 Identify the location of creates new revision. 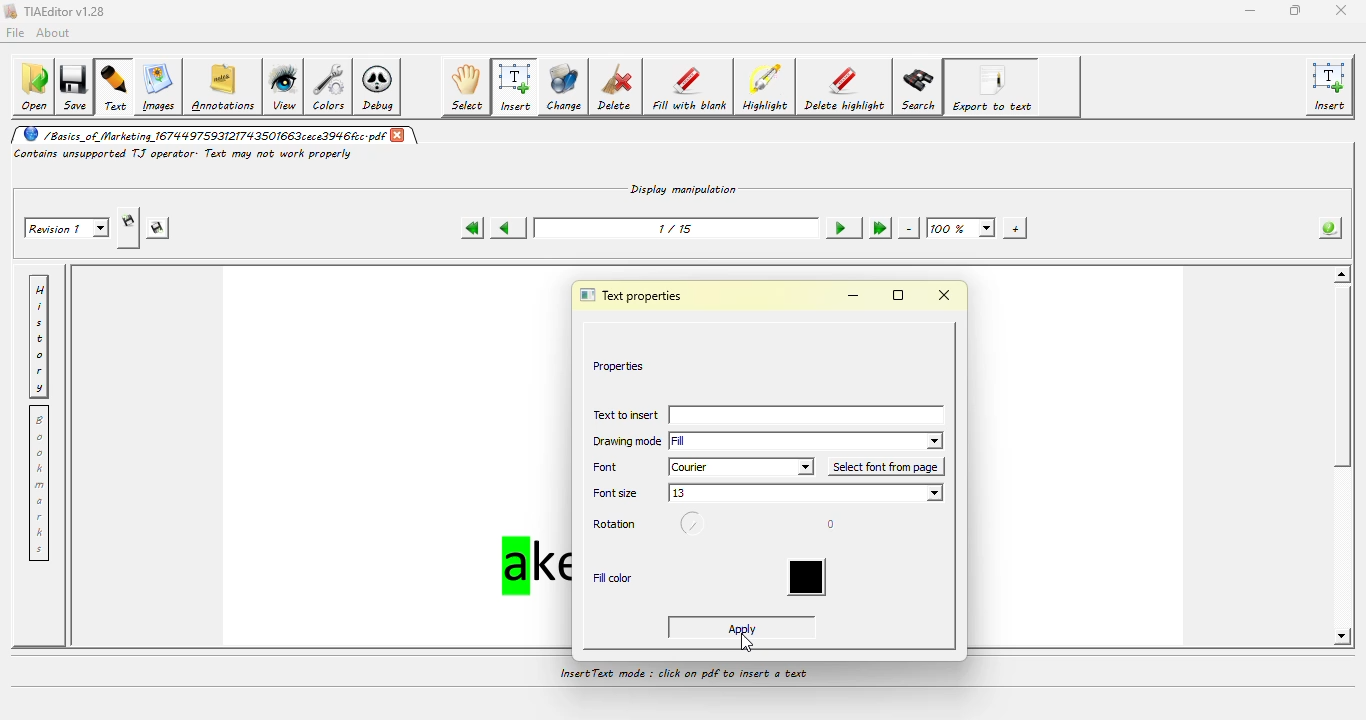
(128, 221).